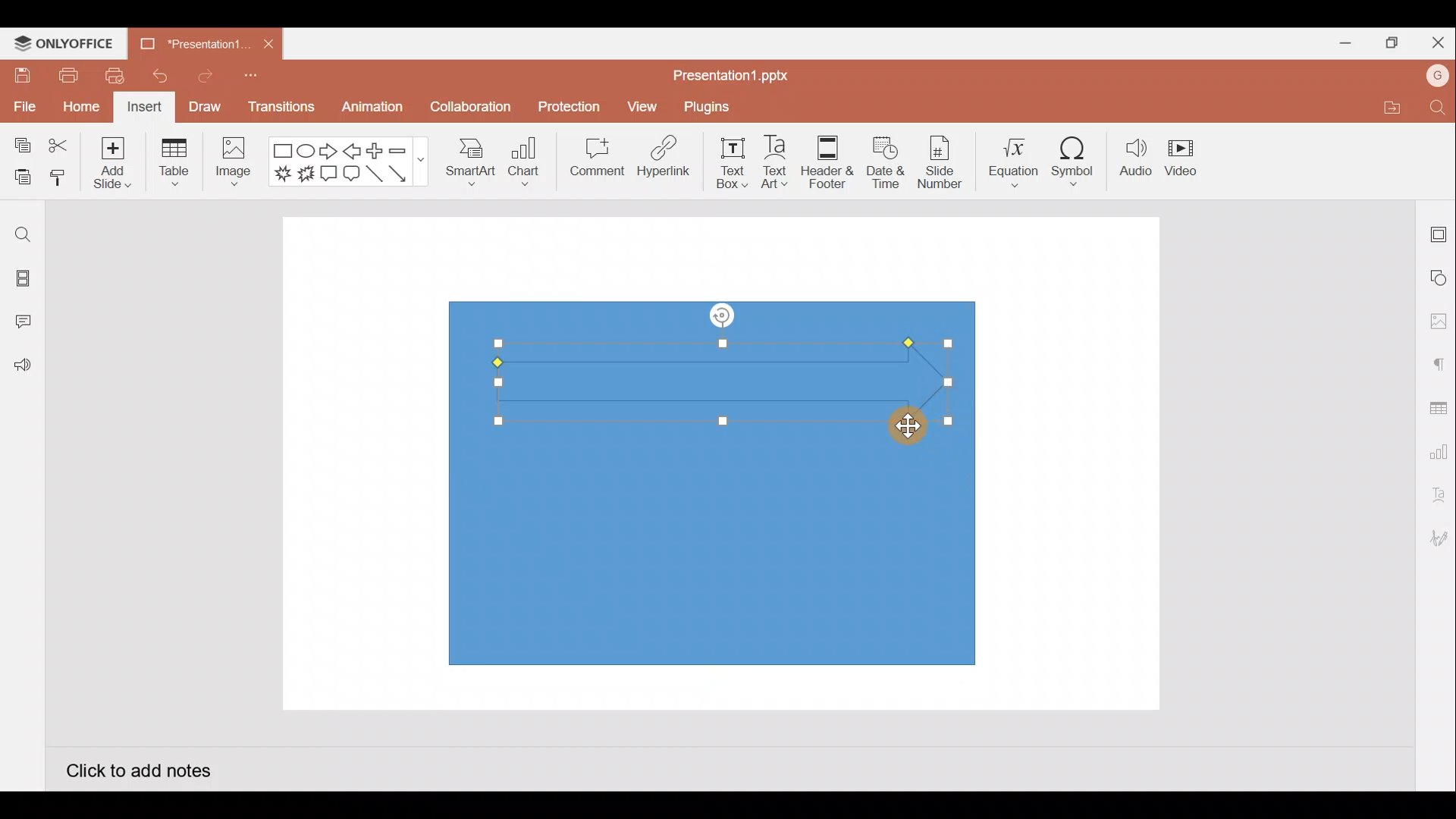 Image resolution: width=1456 pixels, height=819 pixels. What do you see at coordinates (308, 151) in the screenshot?
I see `Ellipse` at bounding box center [308, 151].